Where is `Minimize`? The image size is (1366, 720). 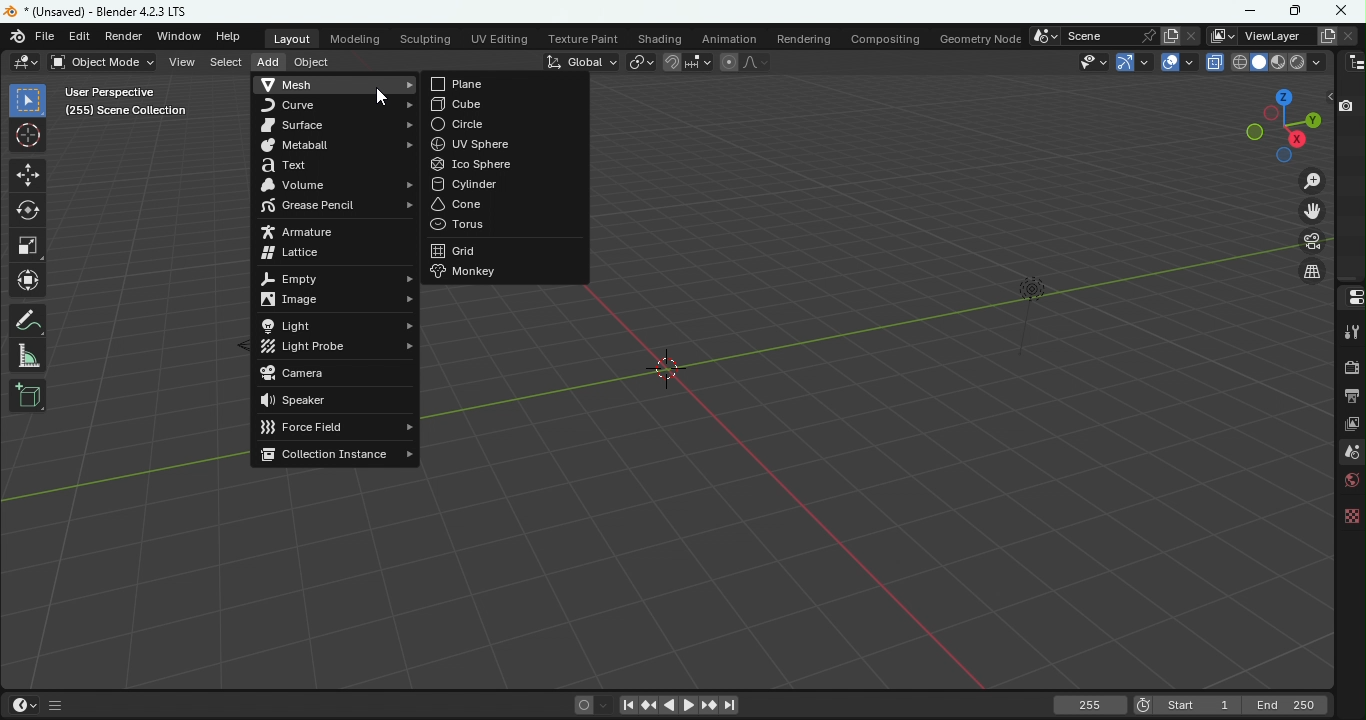 Minimize is located at coordinates (1247, 11).